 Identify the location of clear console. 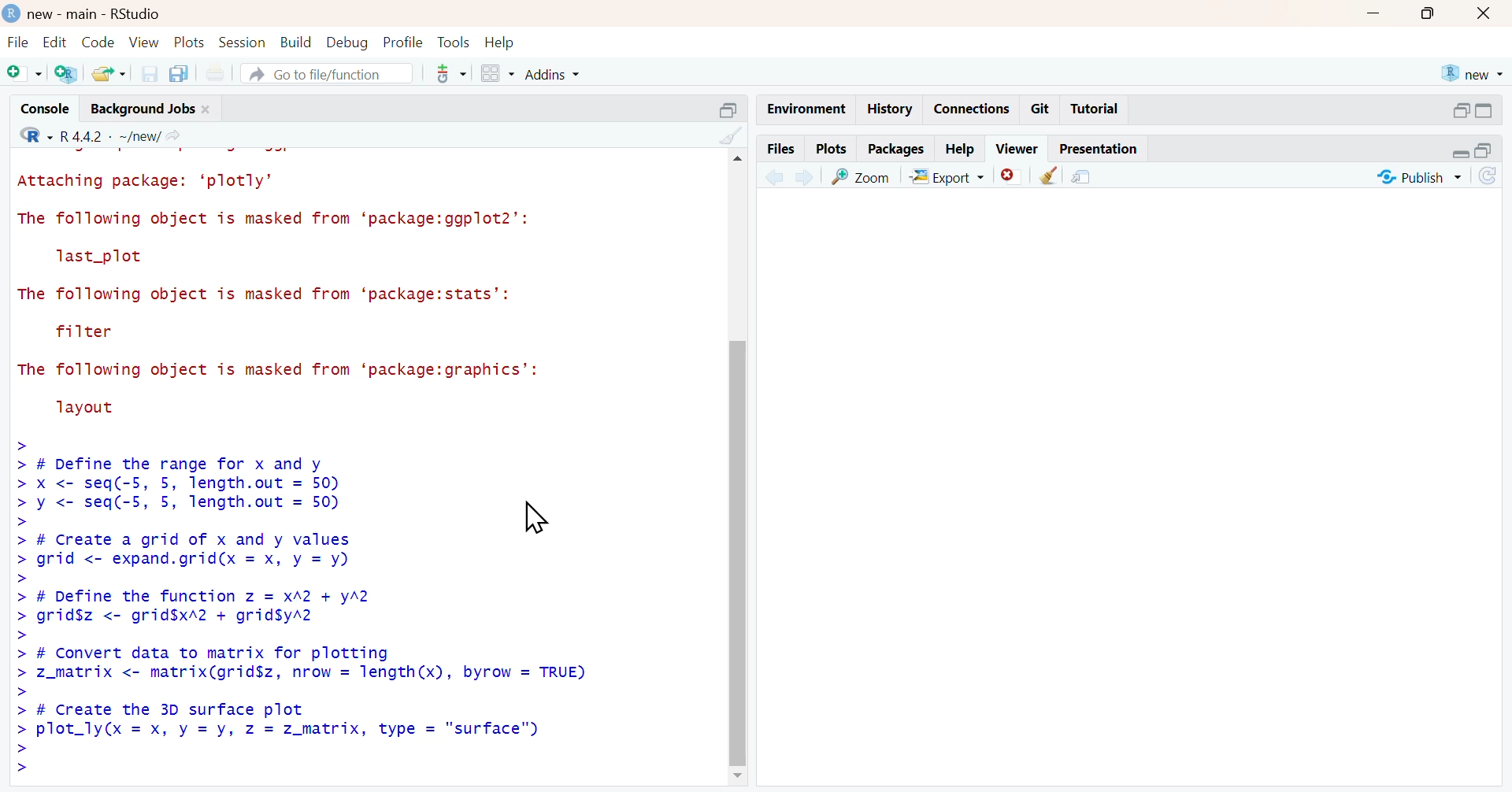
(730, 135).